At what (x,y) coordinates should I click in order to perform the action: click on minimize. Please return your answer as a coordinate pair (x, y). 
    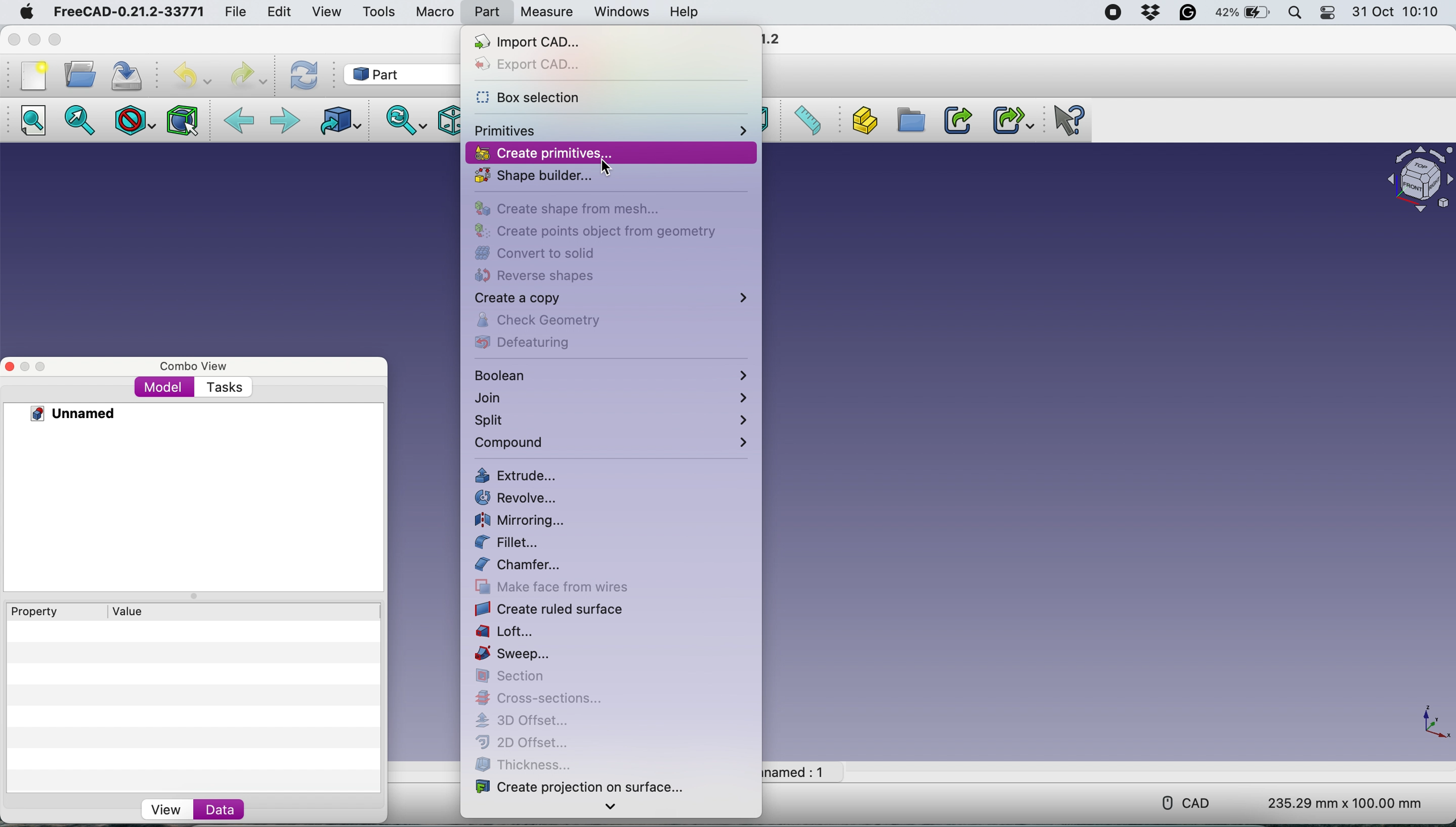
    Looking at the image, I should click on (34, 39).